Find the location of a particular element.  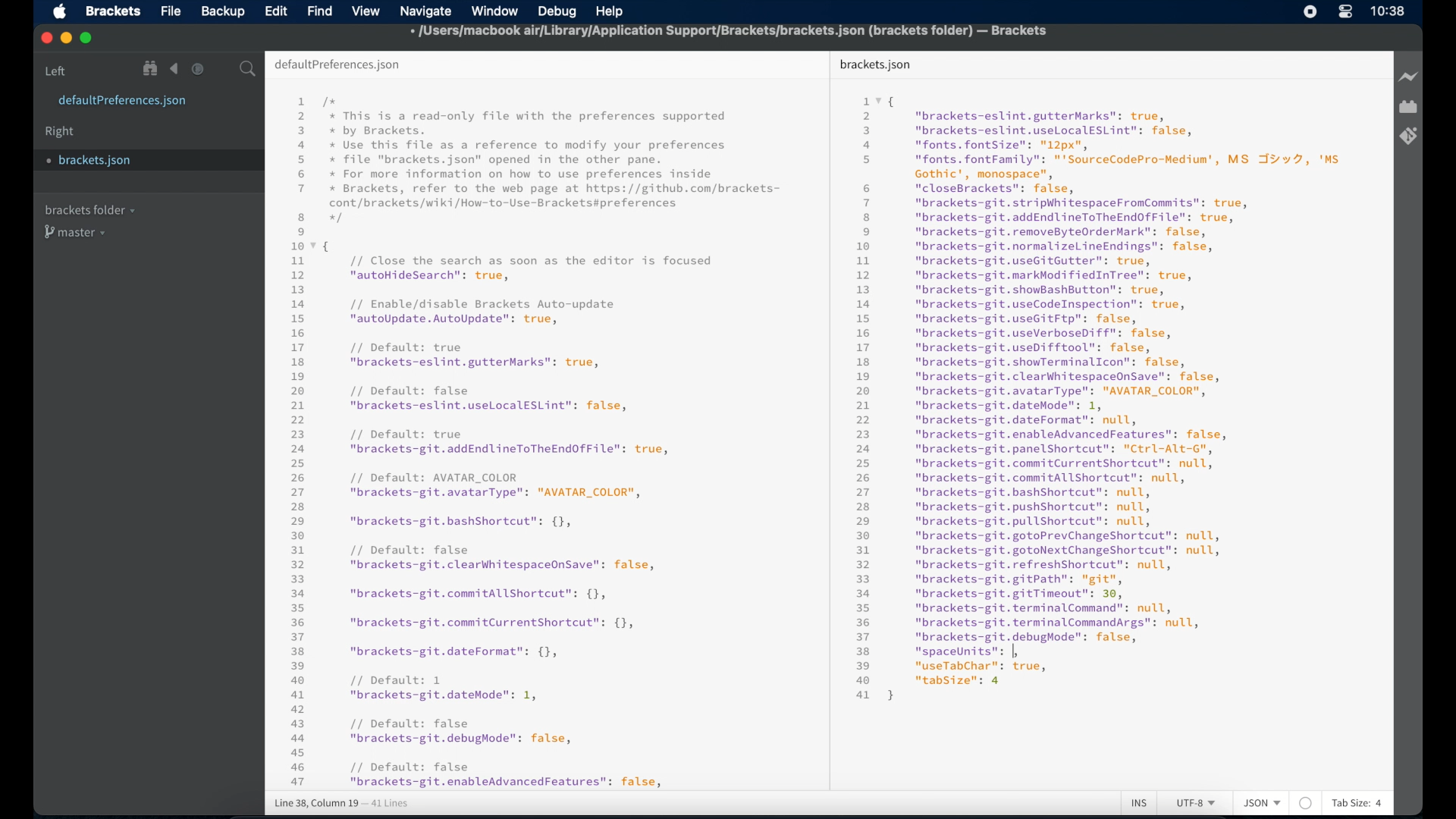

window is located at coordinates (495, 11).